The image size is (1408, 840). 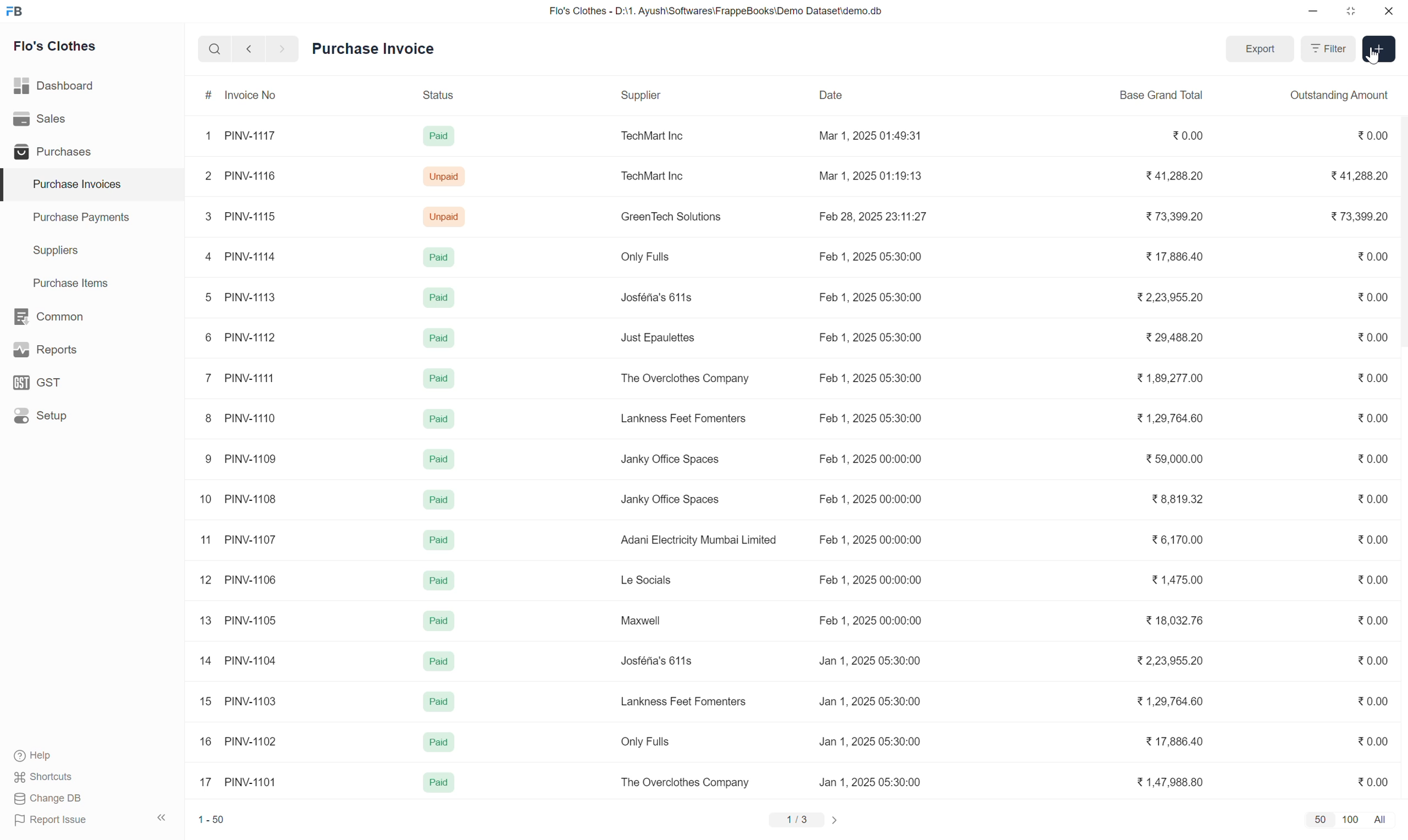 What do you see at coordinates (238, 782) in the screenshot?
I see `17 PINV-1101` at bounding box center [238, 782].